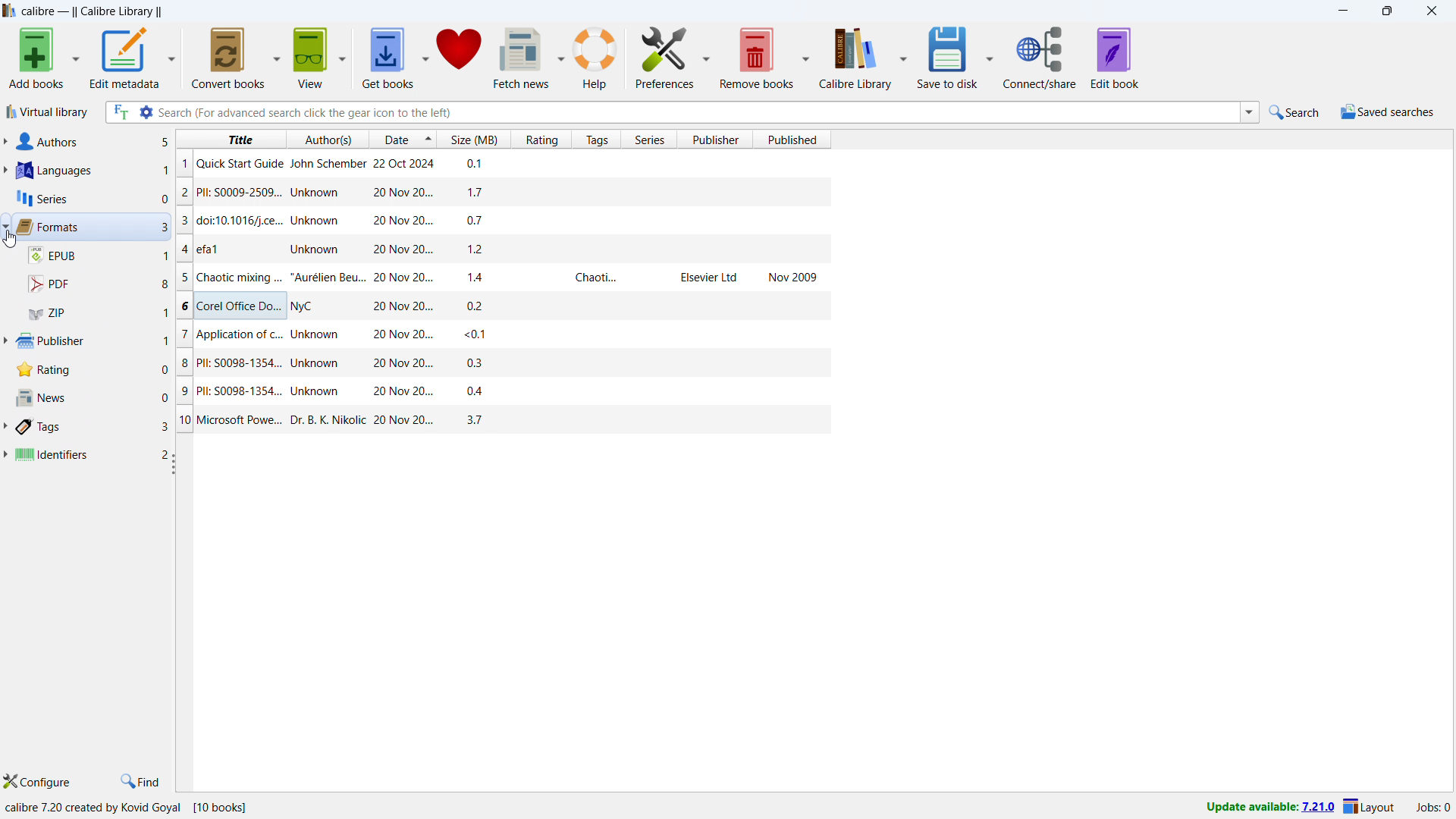  What do you see at coordinates (92, 453) in the screenshot?
I see `identifiers` at bounding box center [92, 453].